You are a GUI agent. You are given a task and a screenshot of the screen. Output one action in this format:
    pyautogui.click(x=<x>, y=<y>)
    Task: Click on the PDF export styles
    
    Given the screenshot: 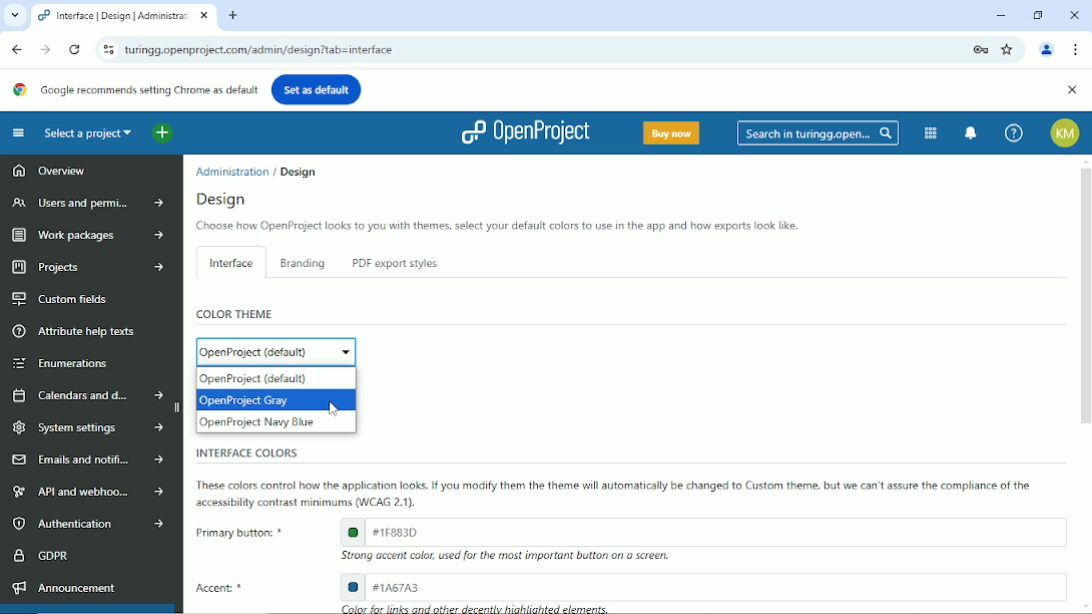 What is the action you would take?
    pyautogui.click(x=392, y=264)
    